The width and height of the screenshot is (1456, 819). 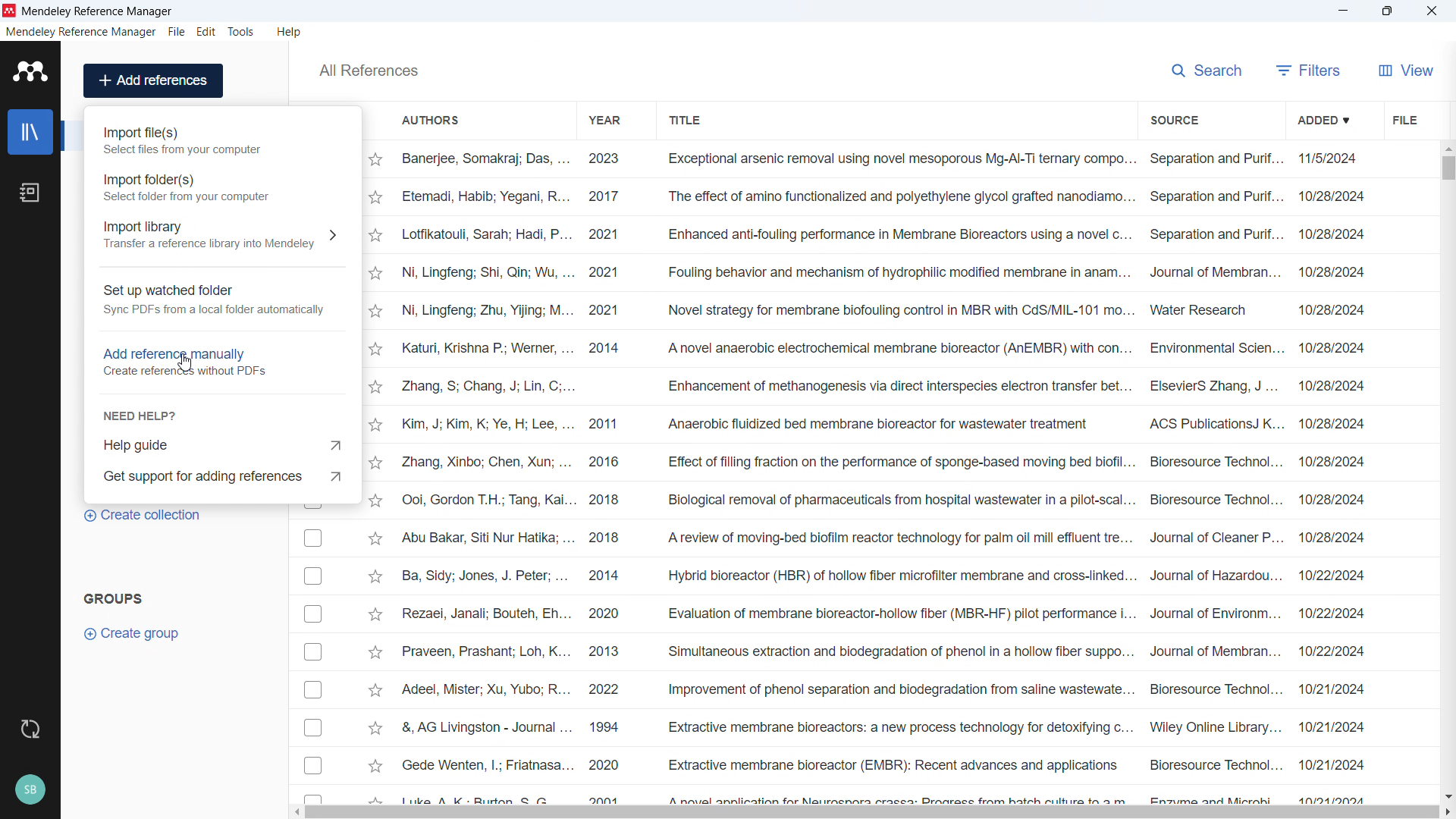 What do you see at coordinates (296, 812) in the screenshot?
I see `Scroll left ` at bounding box center [296, 812].